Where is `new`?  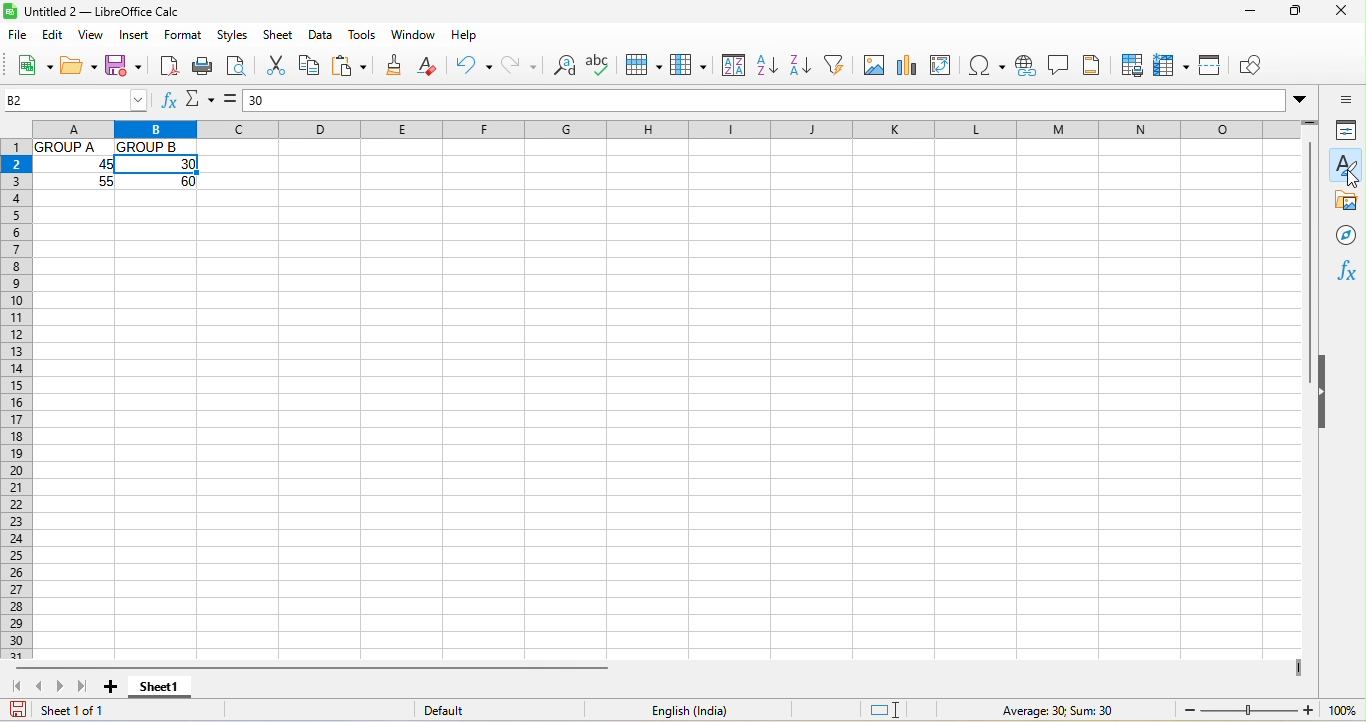
new is located at coordinates (28, 64).